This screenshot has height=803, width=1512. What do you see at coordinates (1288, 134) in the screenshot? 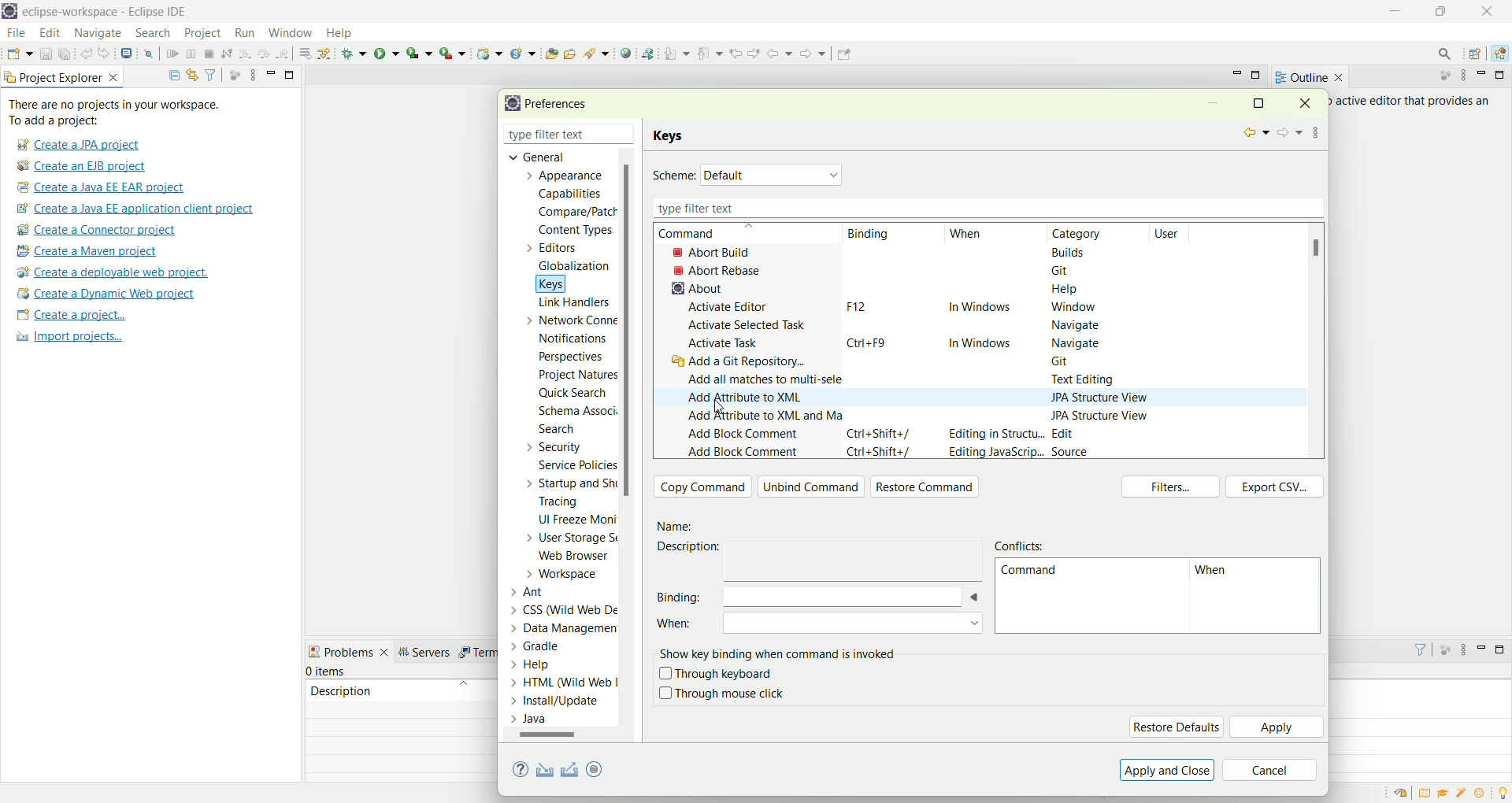
I see `forward` at bounding box center [1288, 134].